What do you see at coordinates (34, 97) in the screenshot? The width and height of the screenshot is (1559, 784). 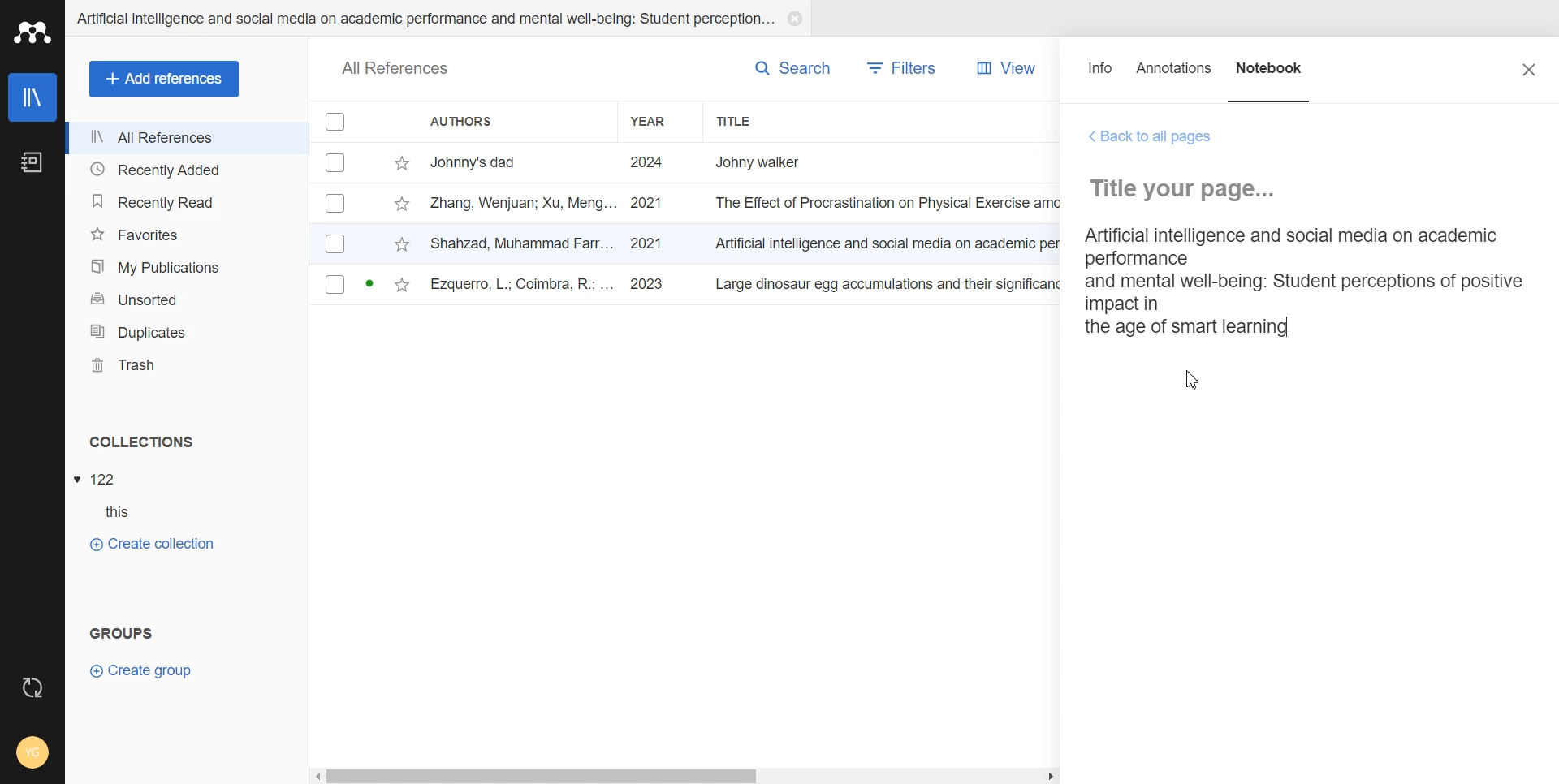 I see `Library` at bounding box center [34, 97].